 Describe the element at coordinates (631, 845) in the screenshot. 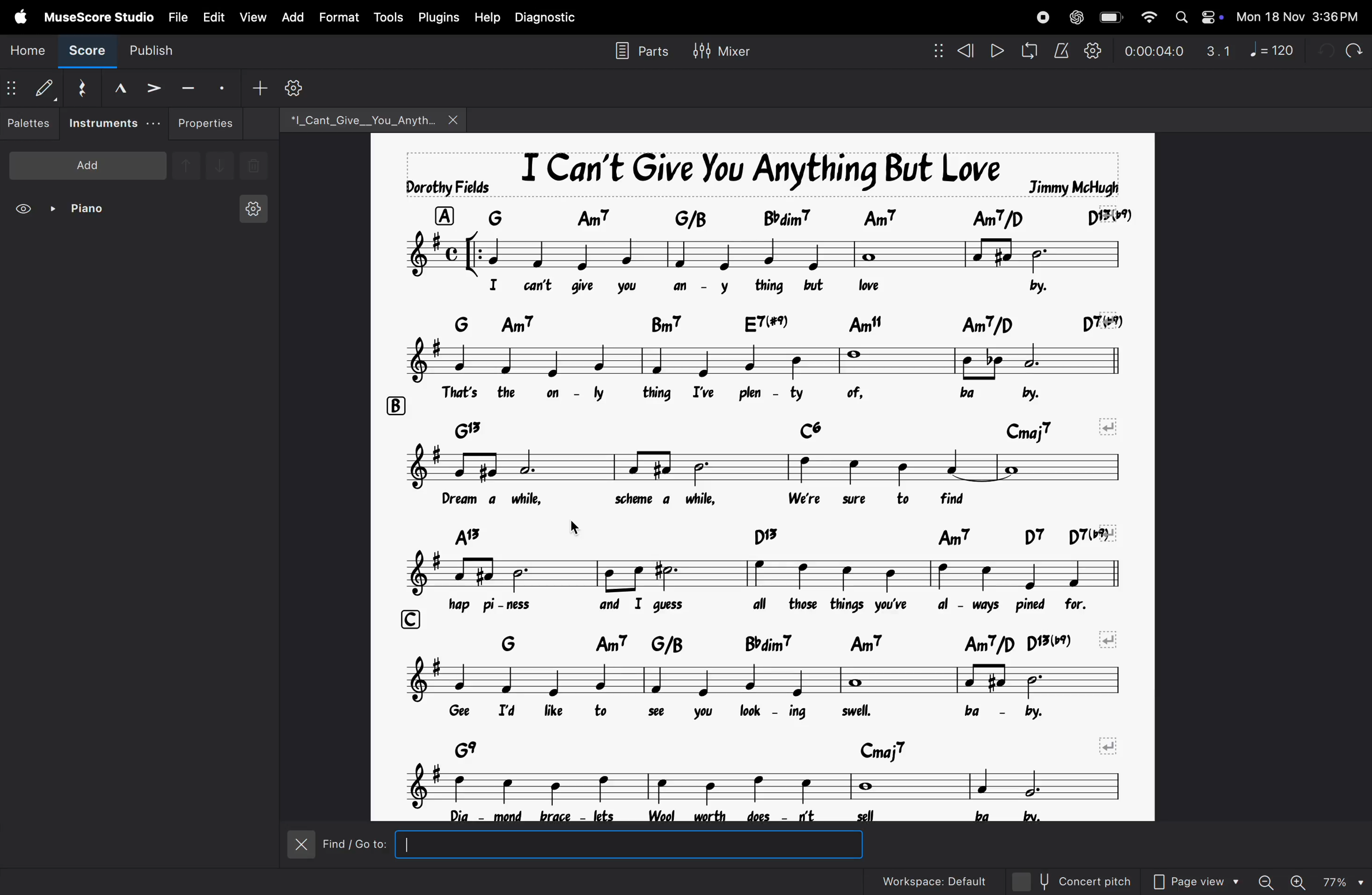

I see `inputbox` at that location.